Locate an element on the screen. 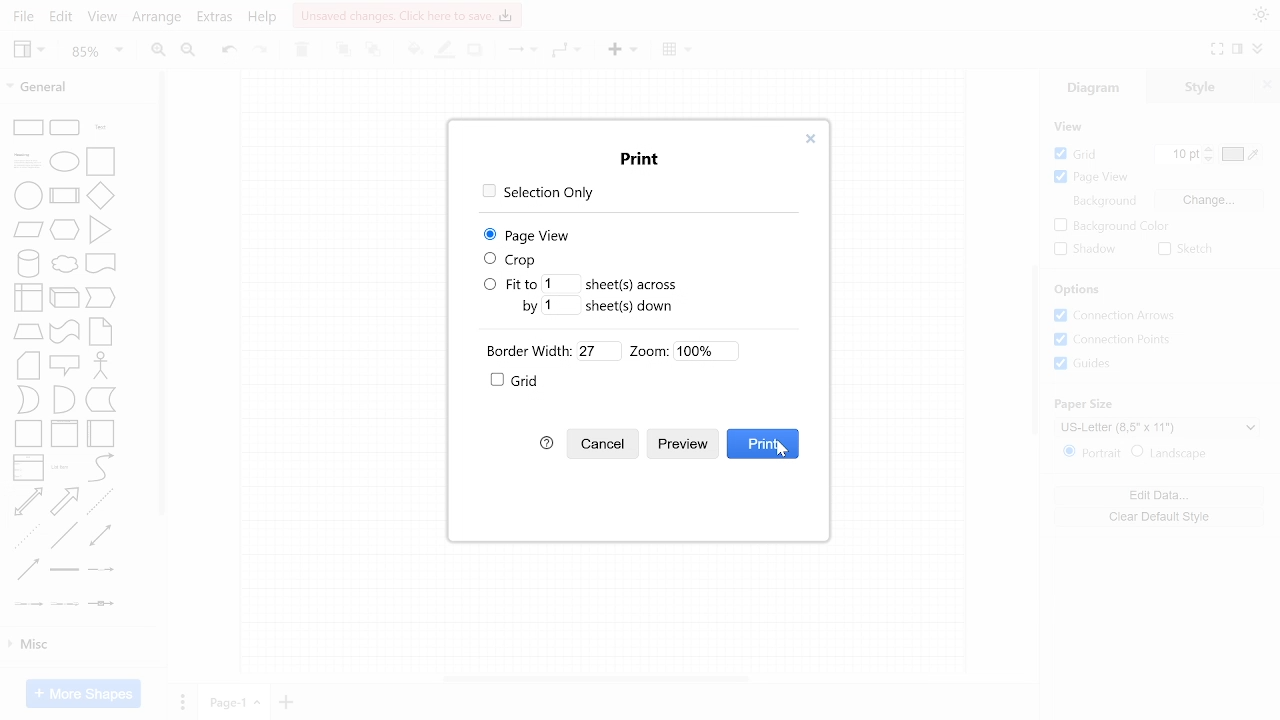  Cursor is located at coordinates (782, 448).